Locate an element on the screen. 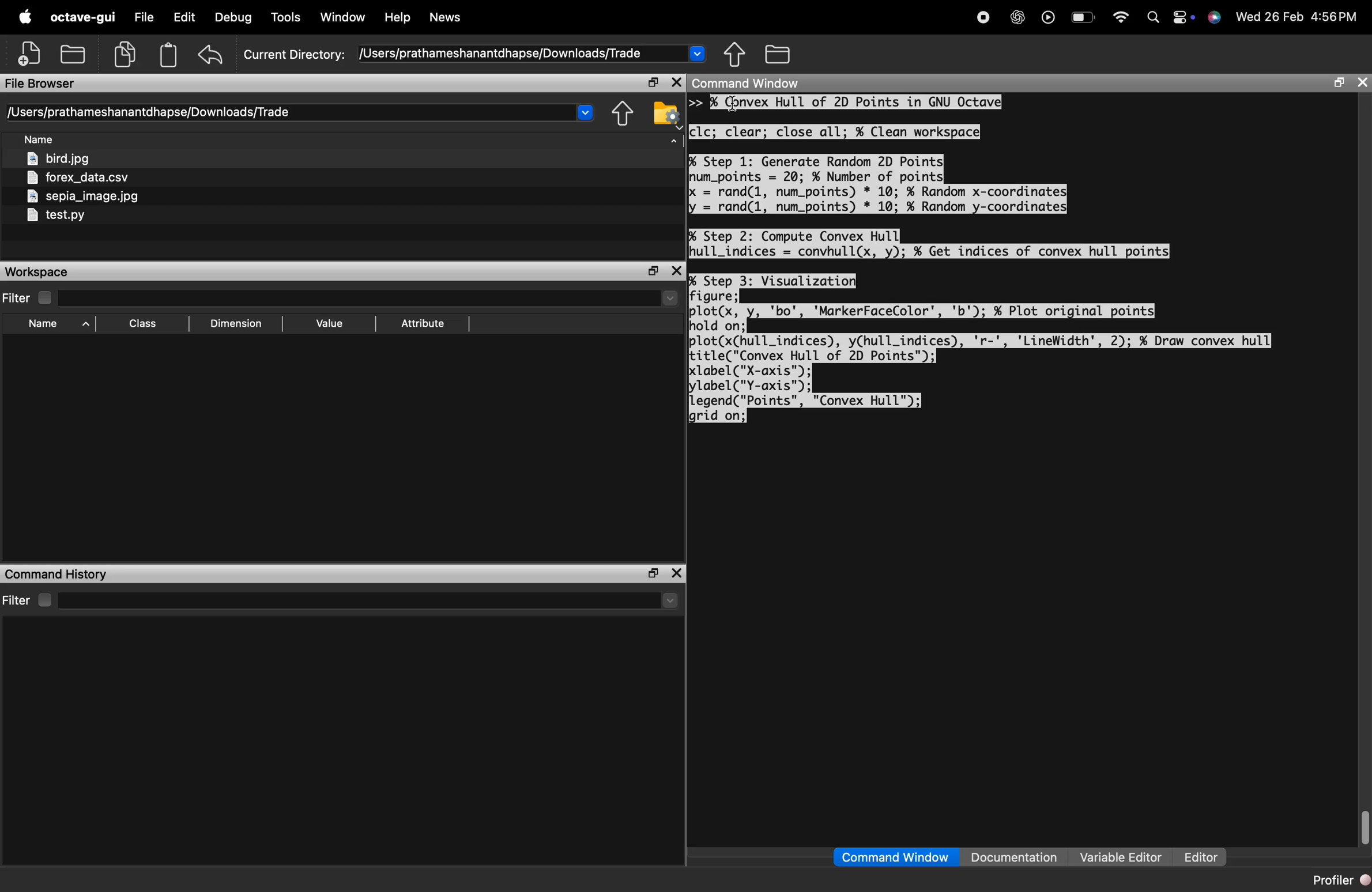 This screenshot has width=1372, height=892. folder  is located at coordinates (777, 54).